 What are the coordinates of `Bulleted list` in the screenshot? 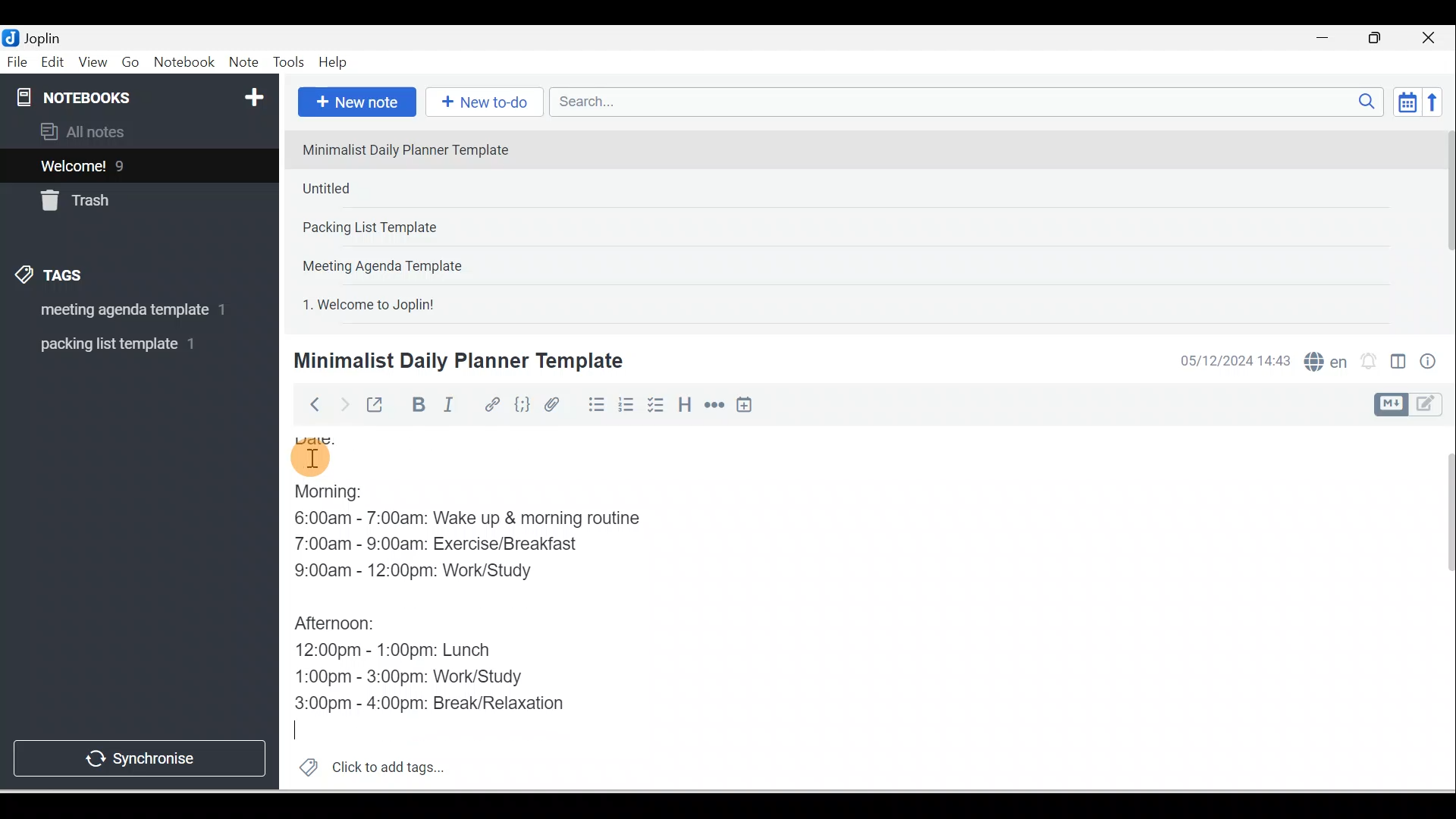 It's located at (593, 404).